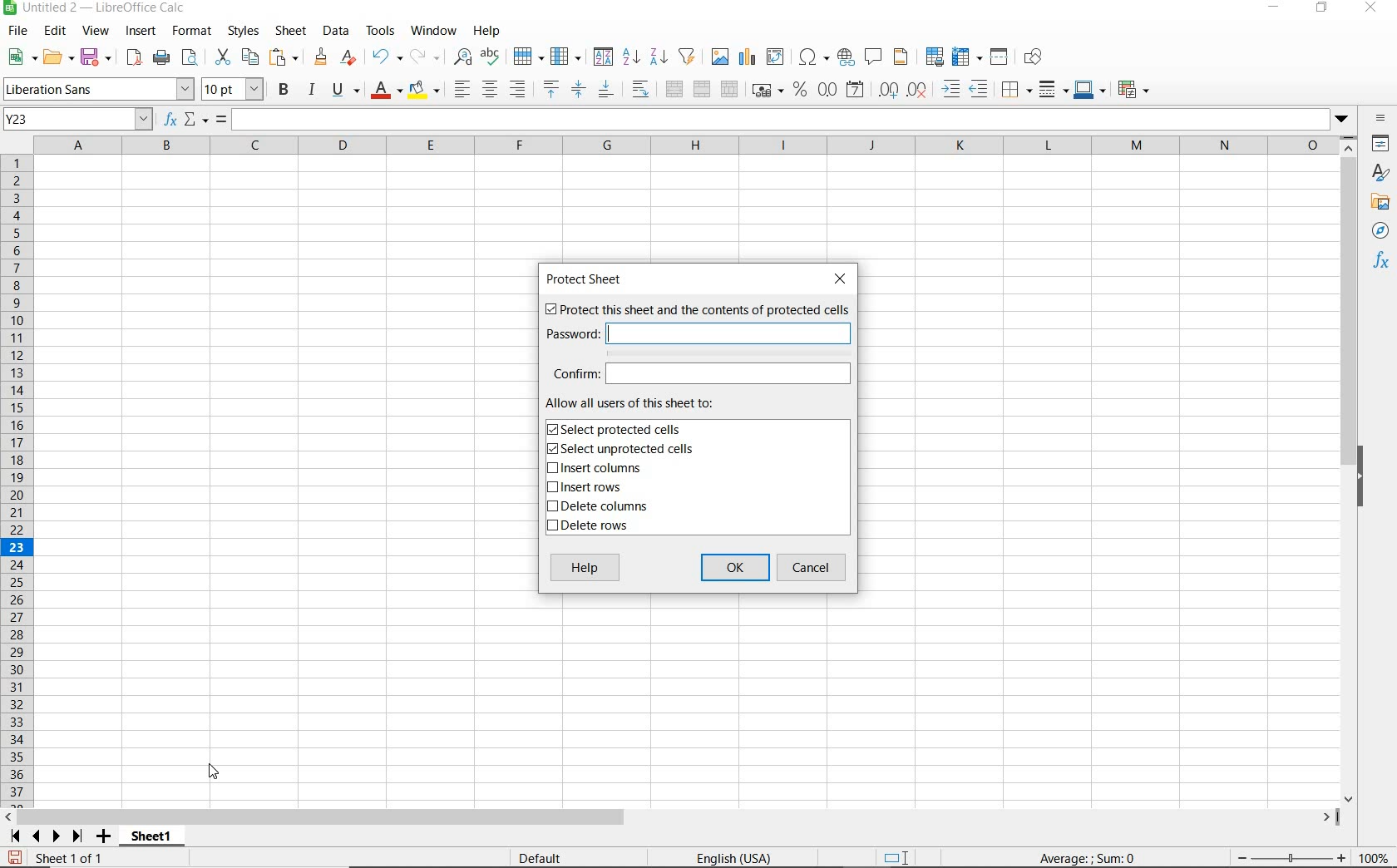 The height and width of the screenshot is (868, 1397). Describe the element at coordinates (424, 89) in the screenshot. I see `BACKGROUND COLOR` at that location.